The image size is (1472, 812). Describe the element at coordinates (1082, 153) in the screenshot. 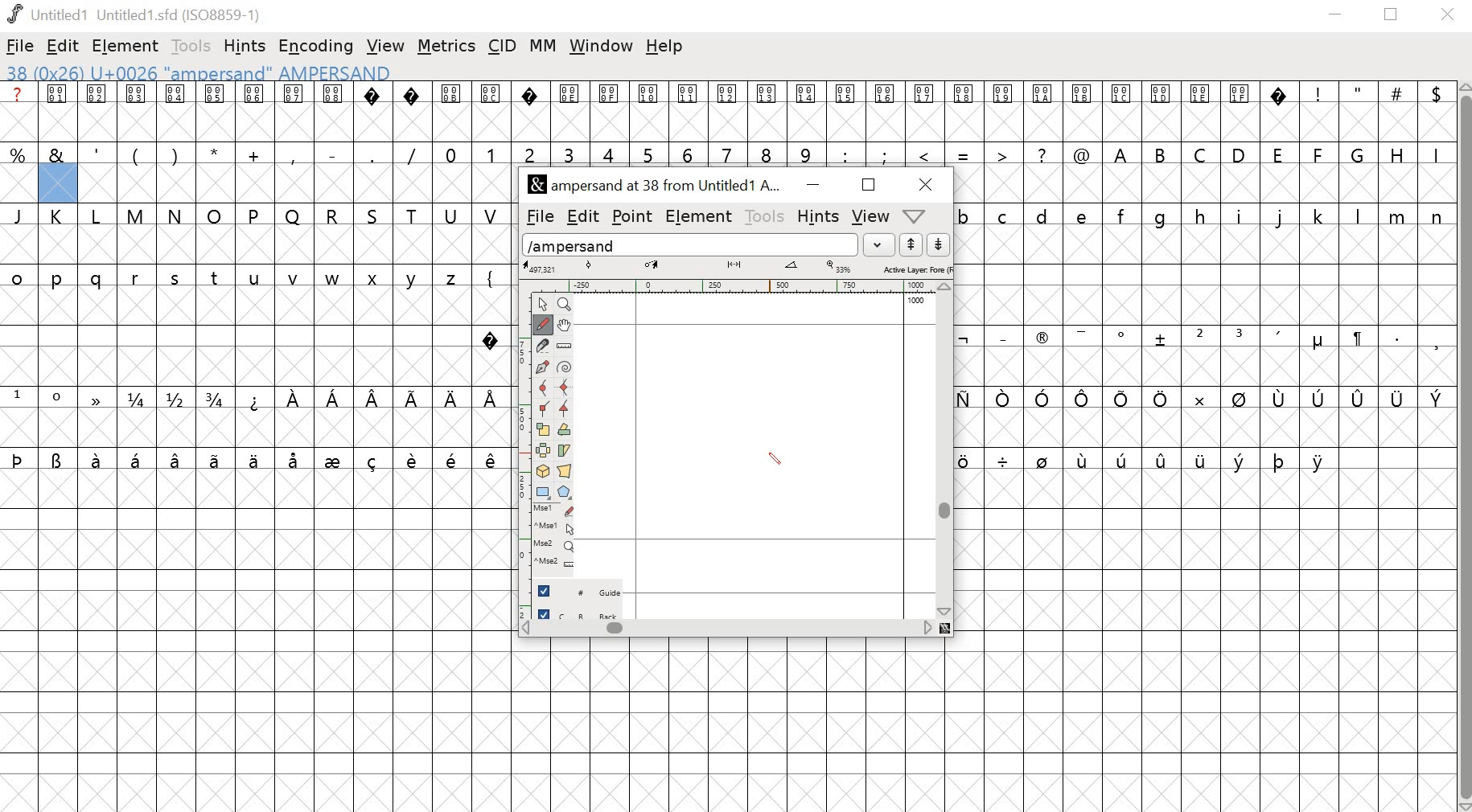

I see `@` at that location.